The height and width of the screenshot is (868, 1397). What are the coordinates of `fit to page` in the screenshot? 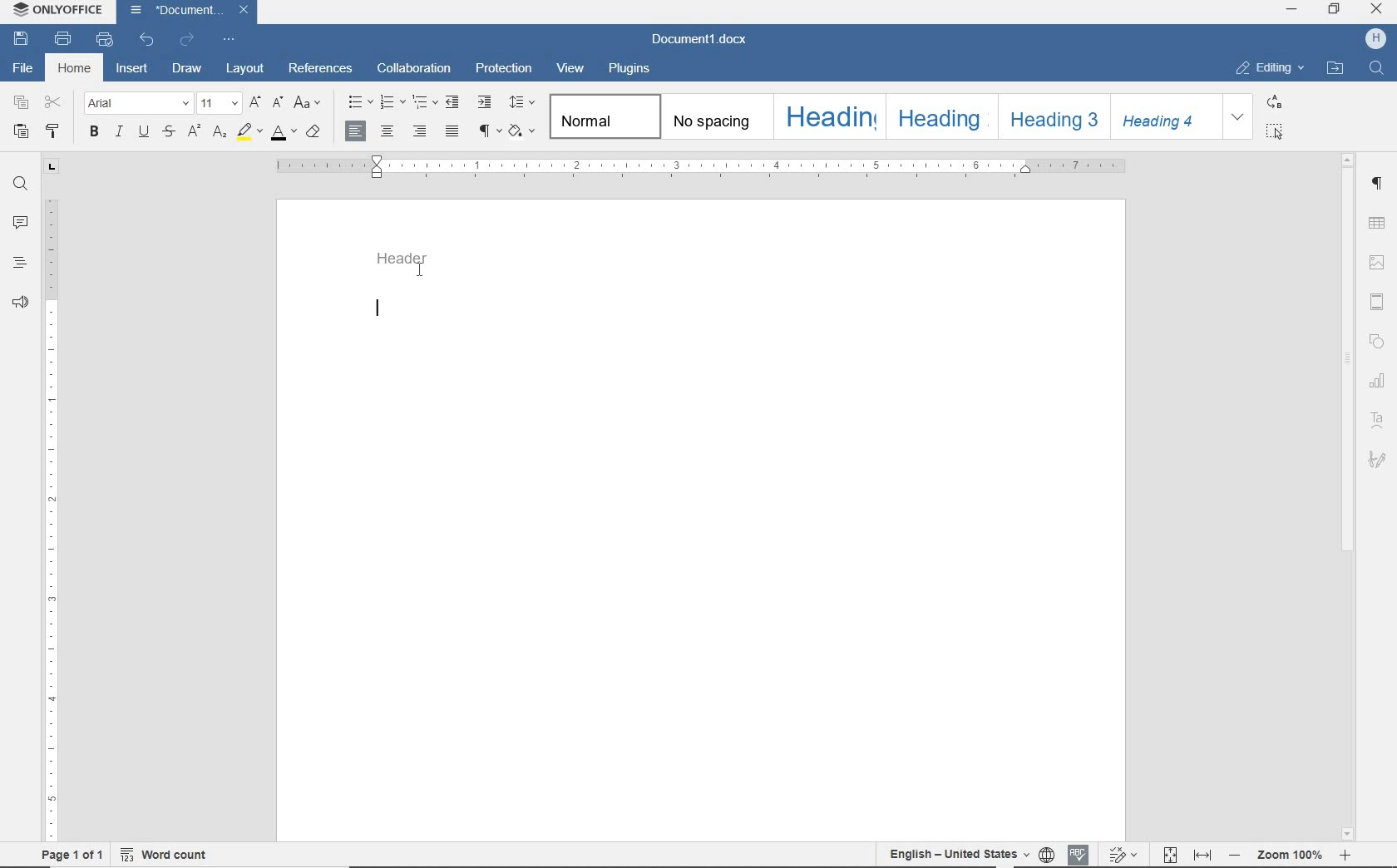 It's located at (1169, 855).